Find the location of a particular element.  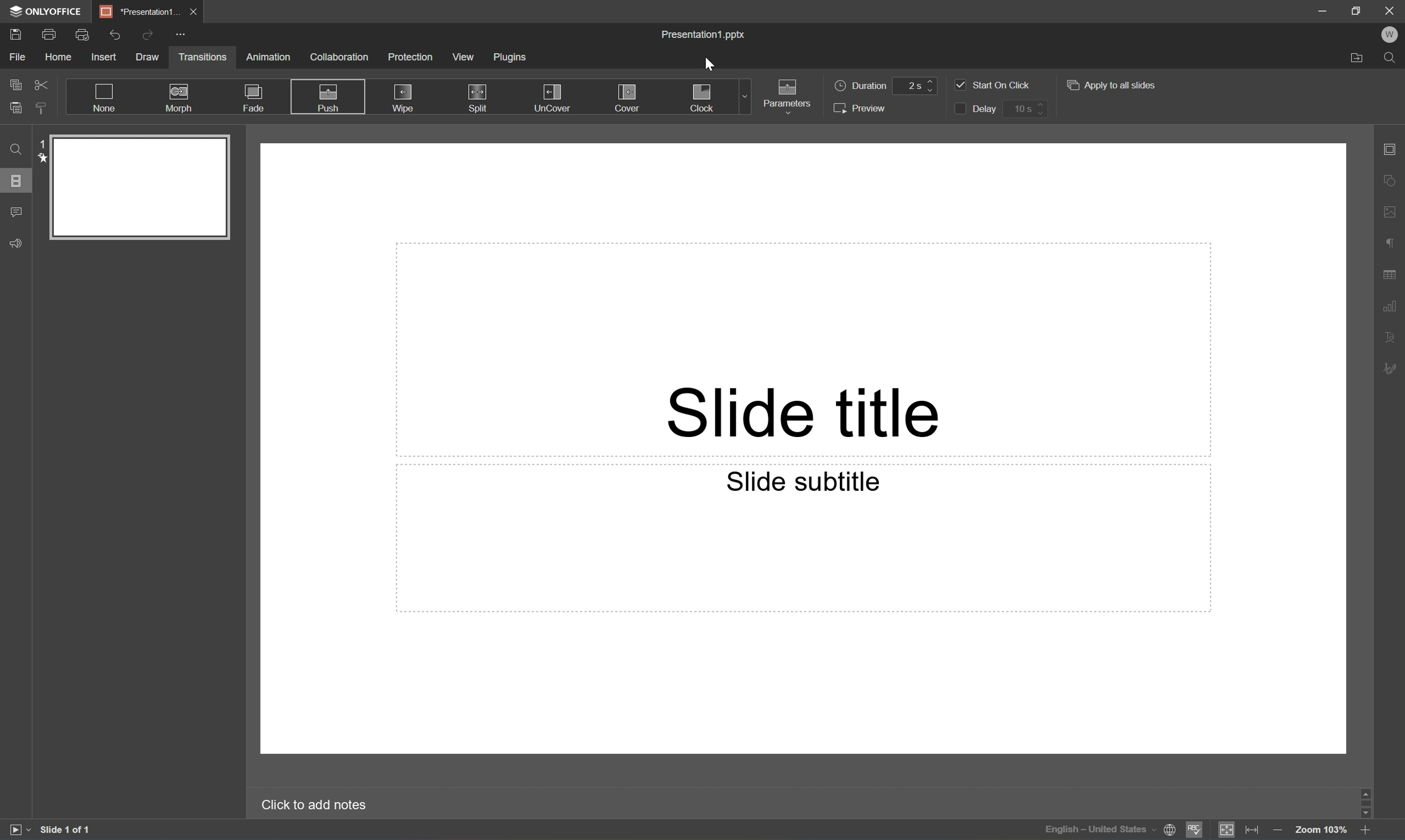

Undo is located at coordinates (115, 33).